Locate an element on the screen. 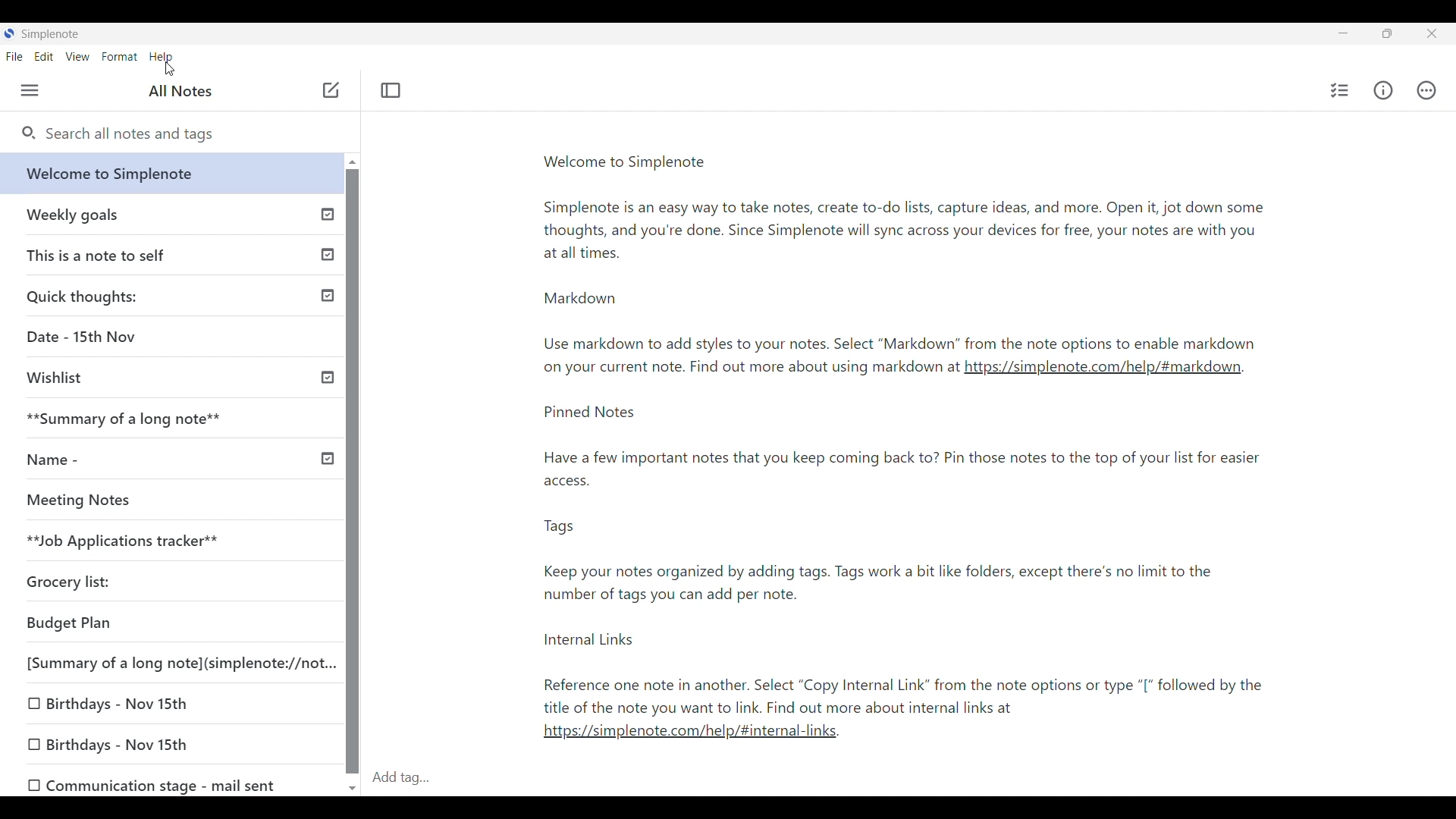  Minimize is located at coordinates (1343, 33).